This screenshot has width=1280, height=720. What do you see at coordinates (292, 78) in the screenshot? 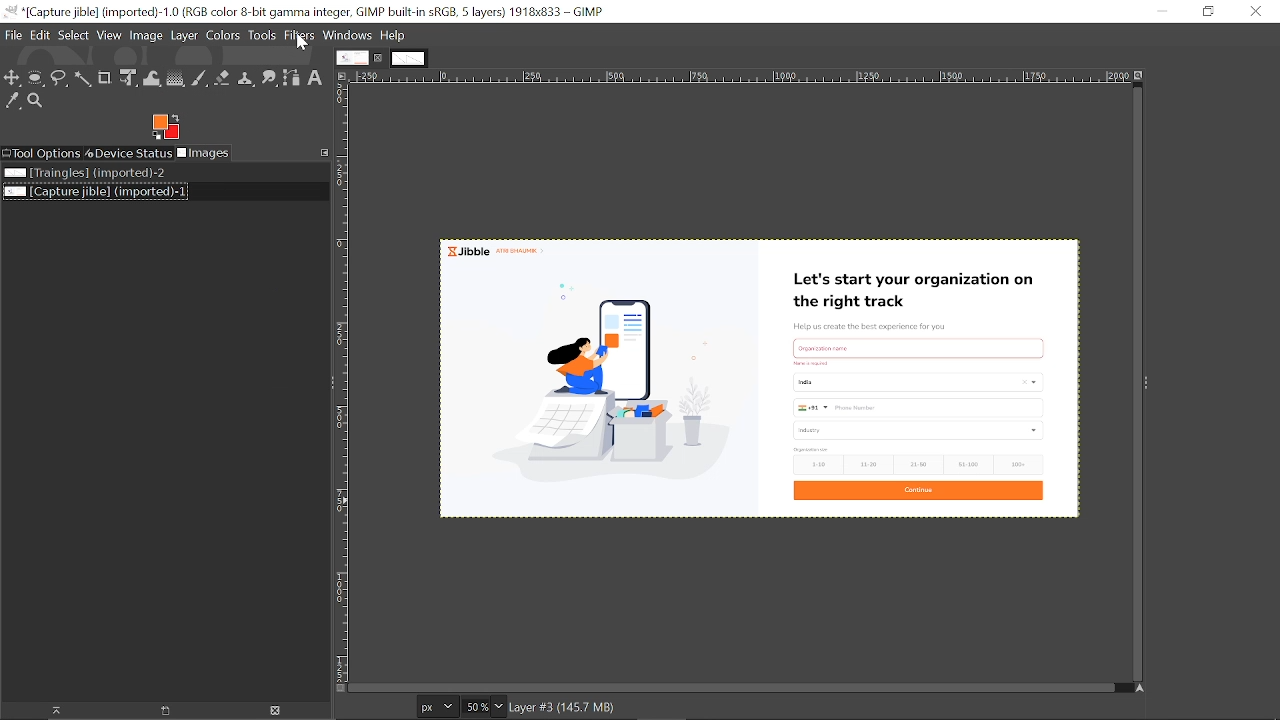
I see `Path tool` at bounding box center [292, 78].